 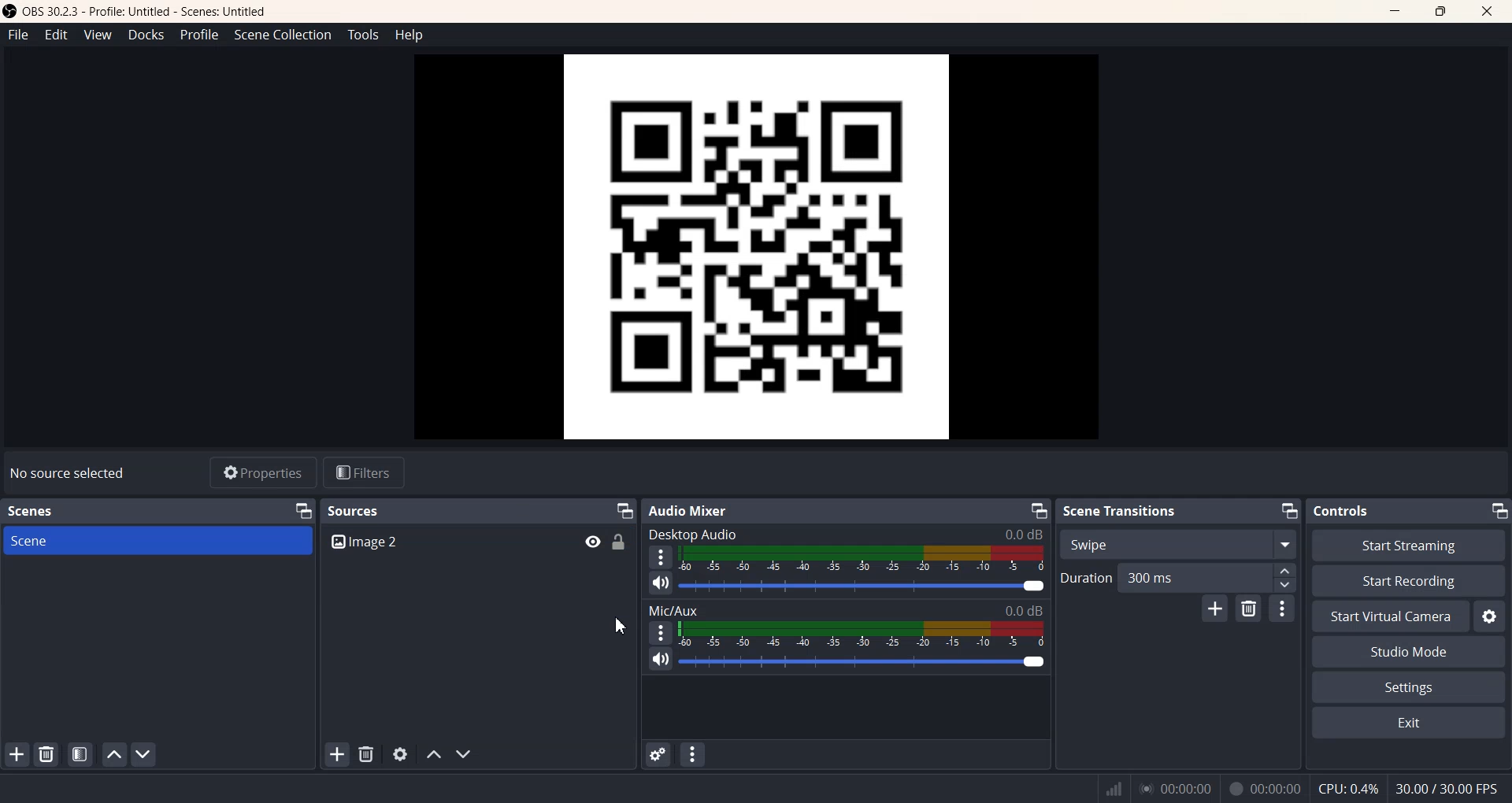 What do you see at coordinates (1347, 788) in the screenshot?
I see `CPU: 0.1%` at bounding box center [1347, 788].